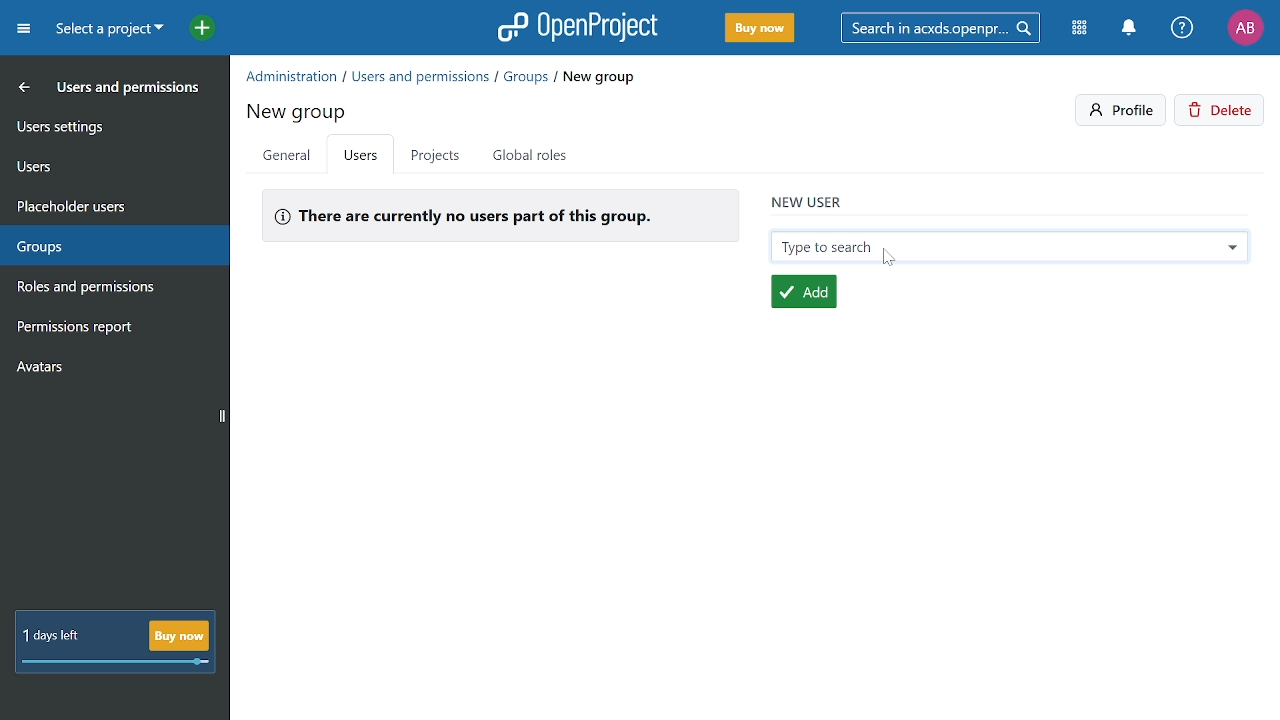 Image resolution: width=1280 pixels, height=720 pixels. What do you see at coordinates (192, 27) in the screenshot?
I see `Open quick add menu` at bounding box center [192, 27].